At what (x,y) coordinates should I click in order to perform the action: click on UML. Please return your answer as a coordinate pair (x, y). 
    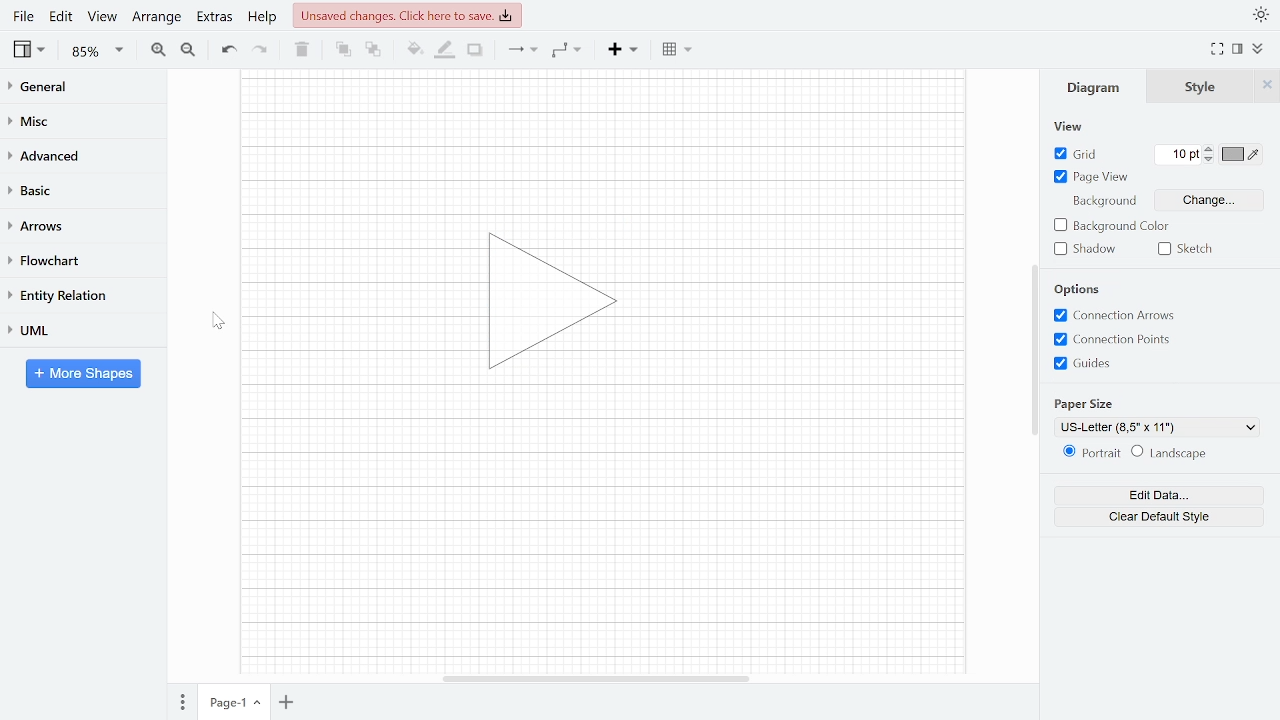
    Looking at the image, I should click on (74, 330).